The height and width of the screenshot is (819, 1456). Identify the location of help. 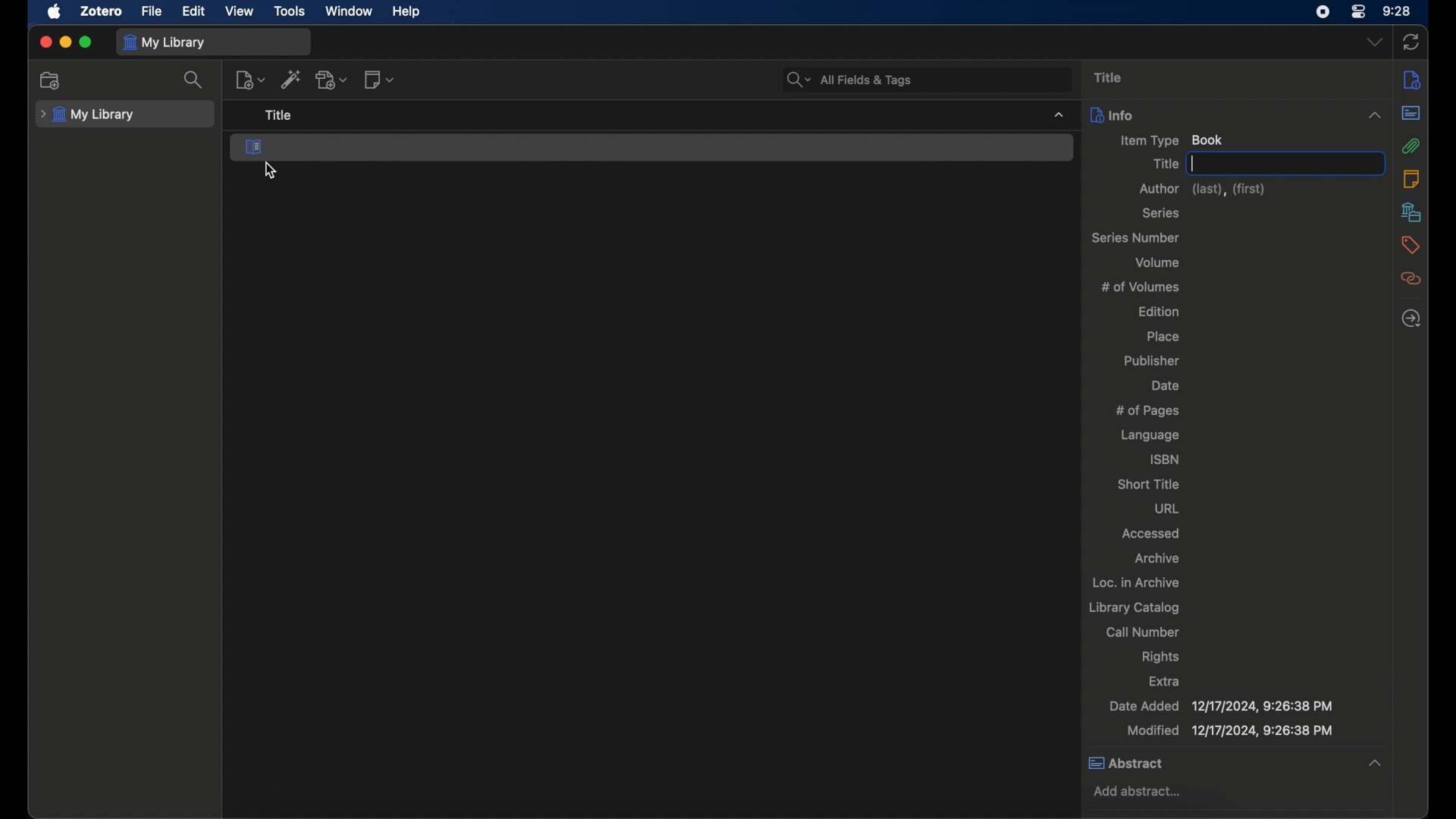
(406, 11).